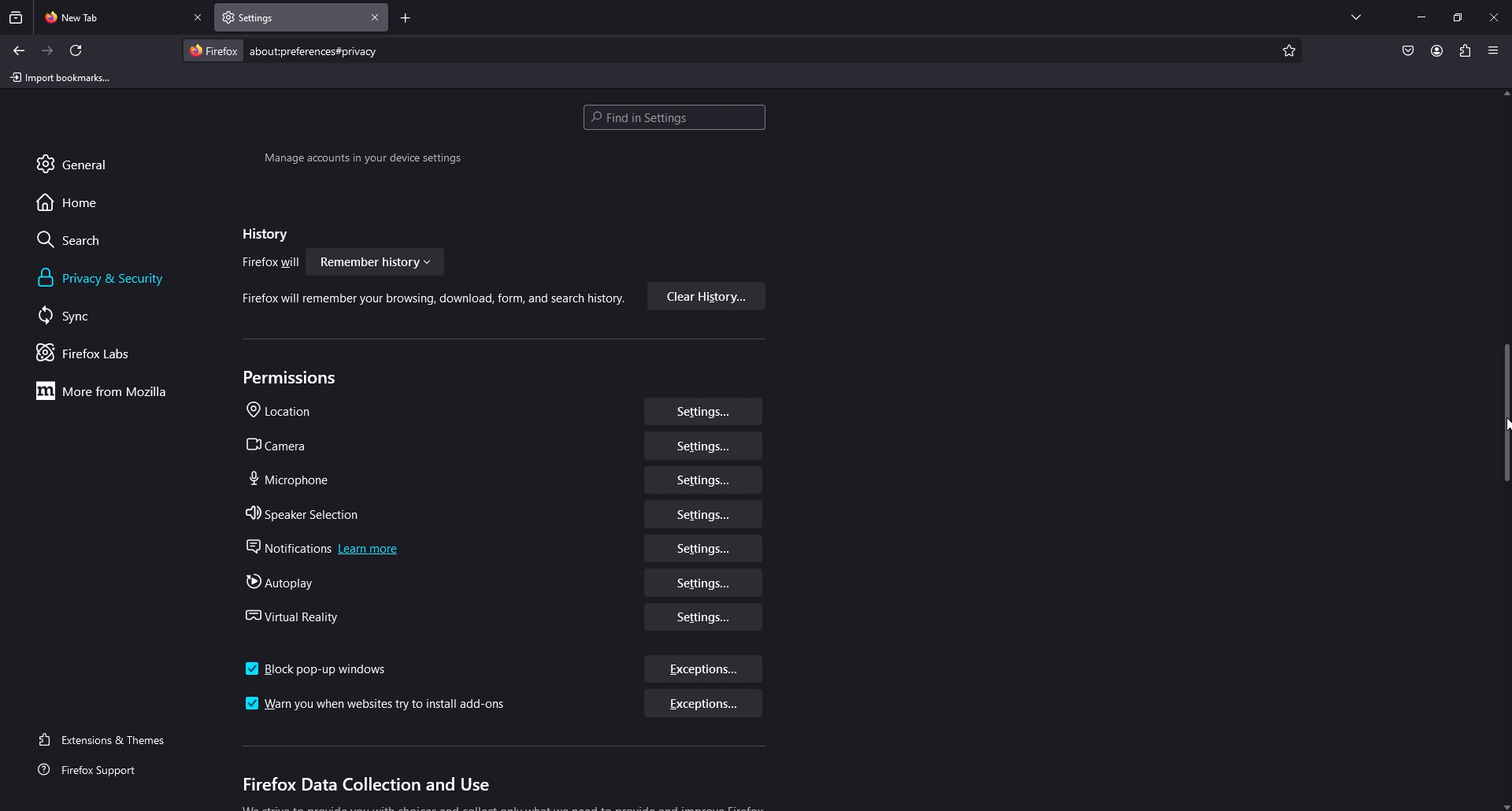 Image resolution: width=1512 pixels, height=811 pixels. Describe the element at coordinates (705, 513) in the screenshot. I see `settings` at that location.